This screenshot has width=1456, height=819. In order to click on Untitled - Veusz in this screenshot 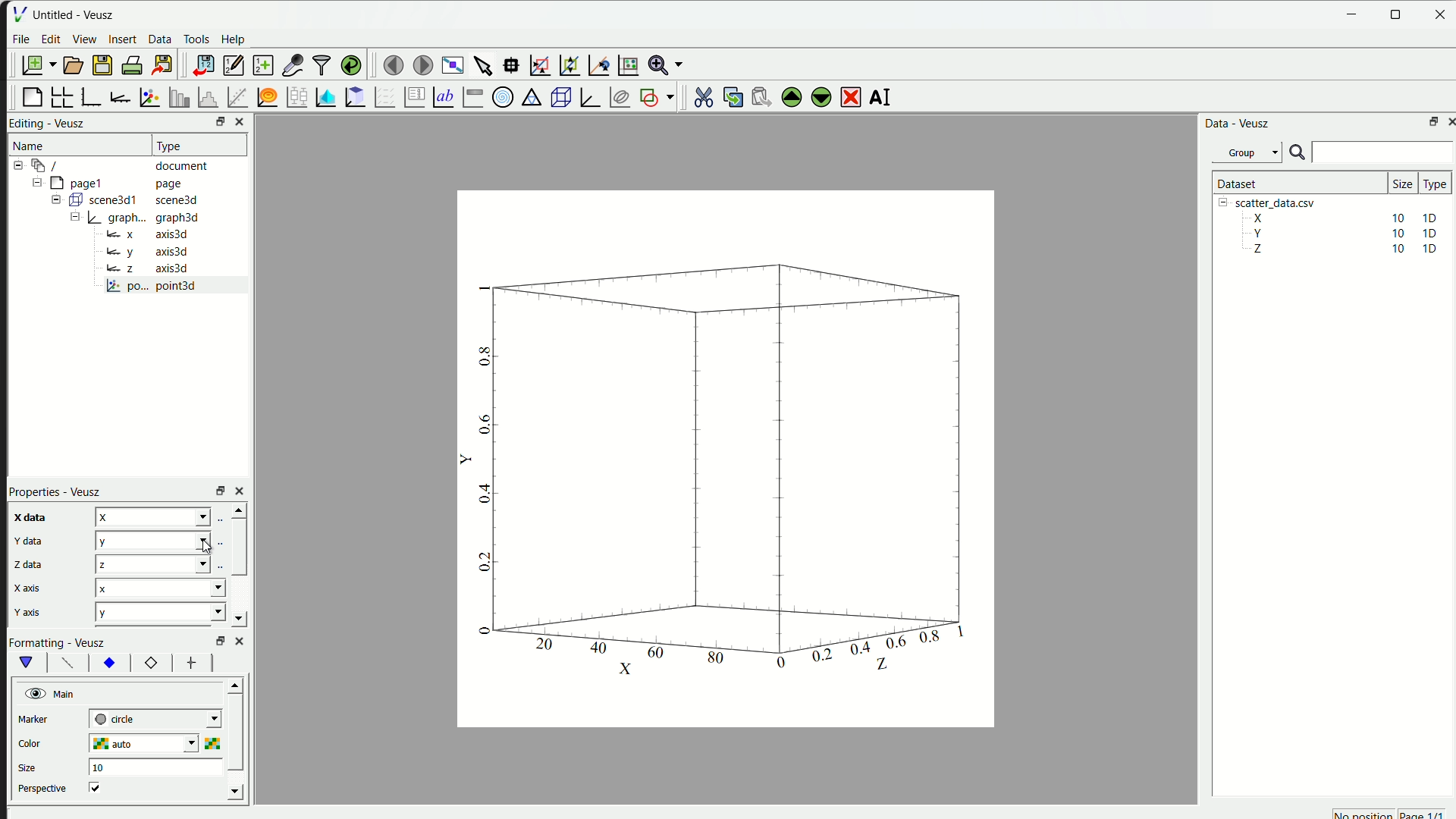, I will do `click(77, 14)`.